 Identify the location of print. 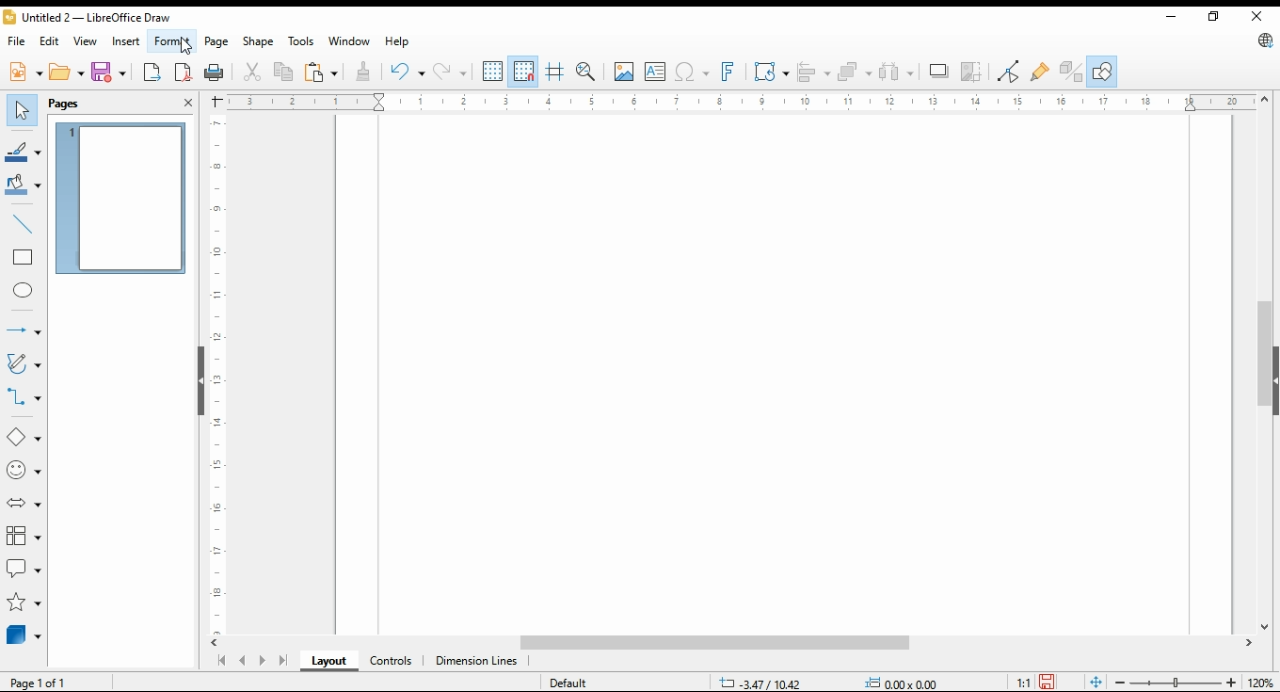
(215, 72).